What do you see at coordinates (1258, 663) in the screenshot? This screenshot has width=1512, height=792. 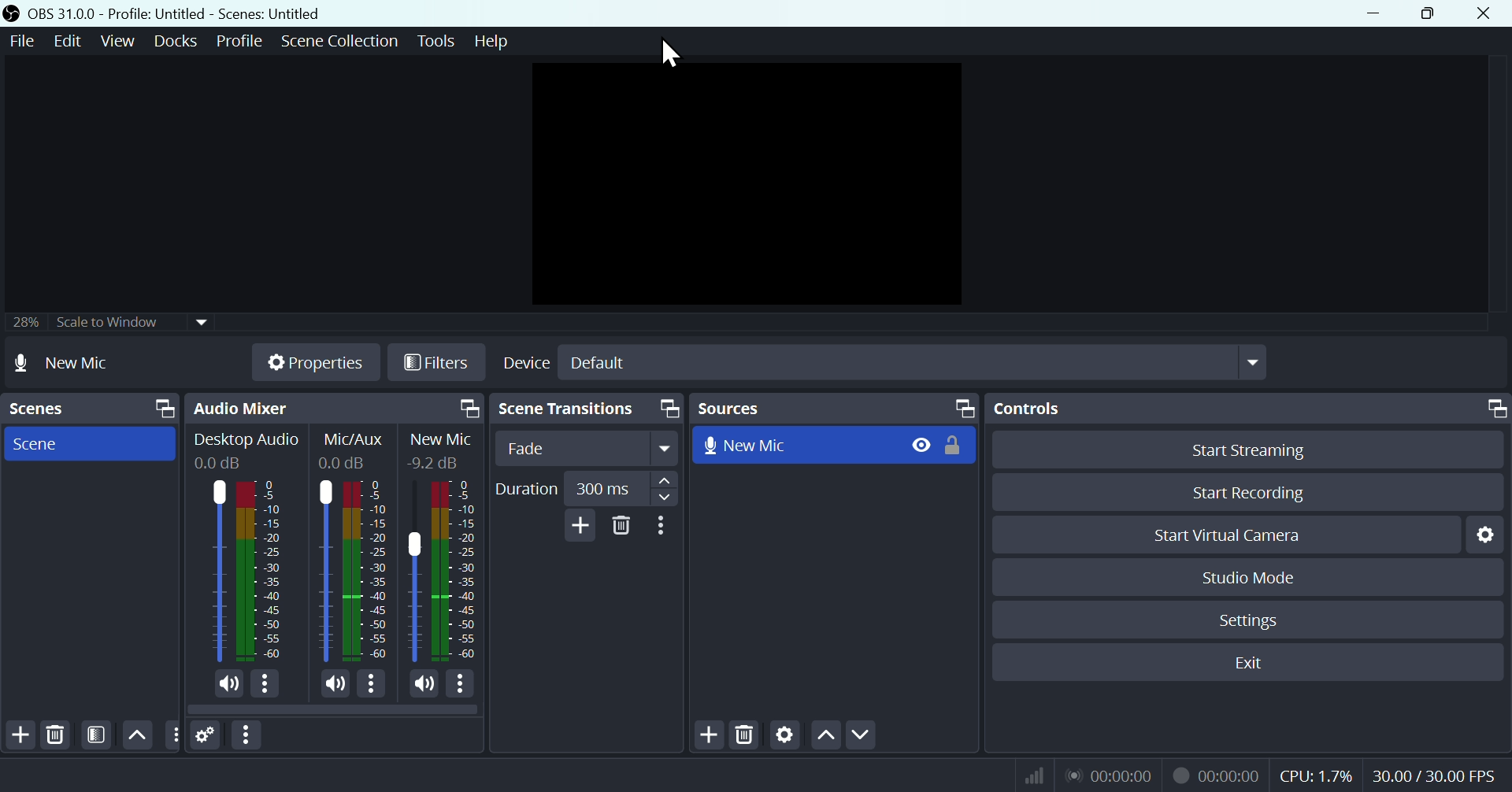 I see `Exit` at bounding box center [1258, 663].